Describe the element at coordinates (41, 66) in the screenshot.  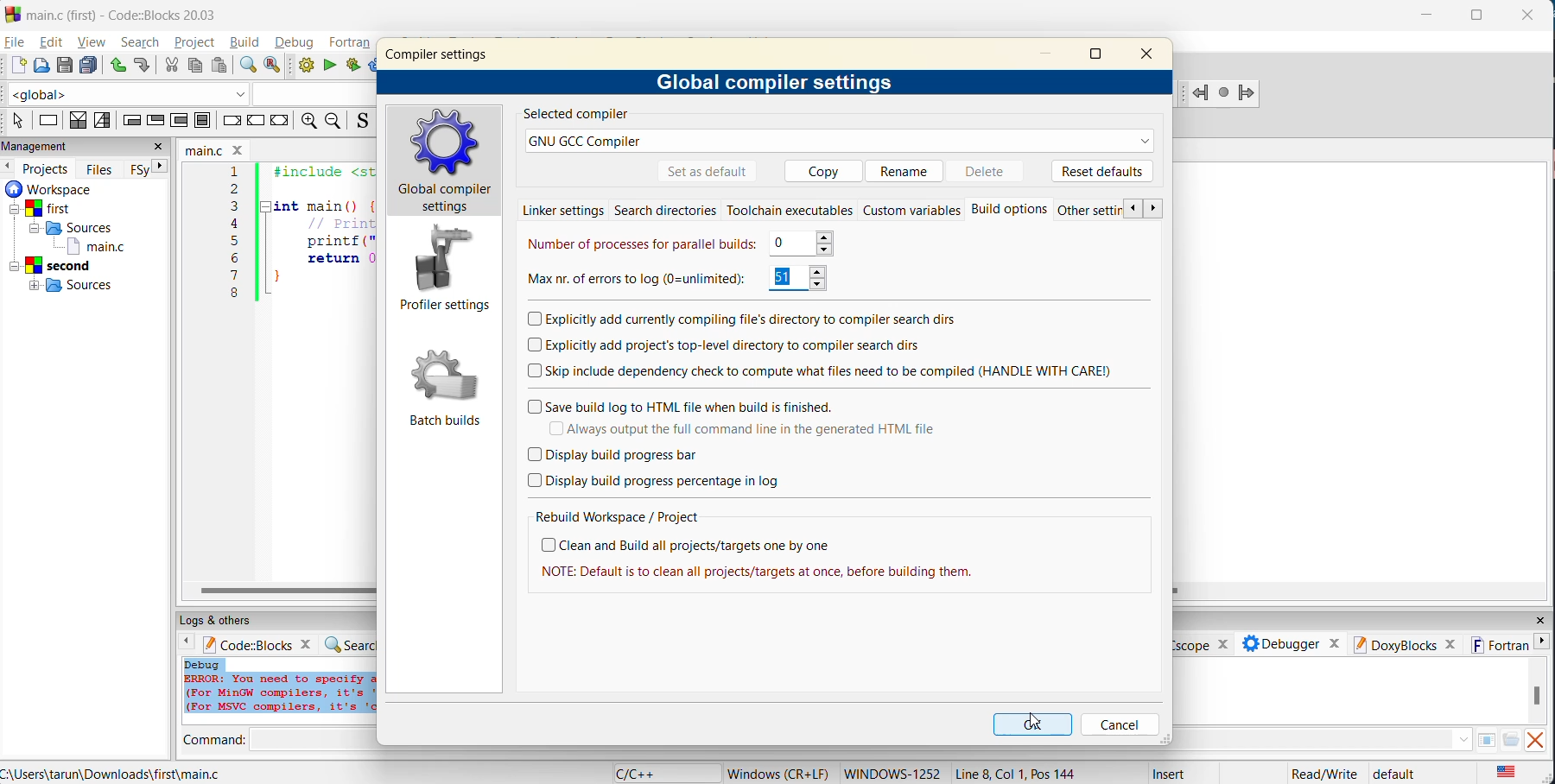
I see `open` at that location.